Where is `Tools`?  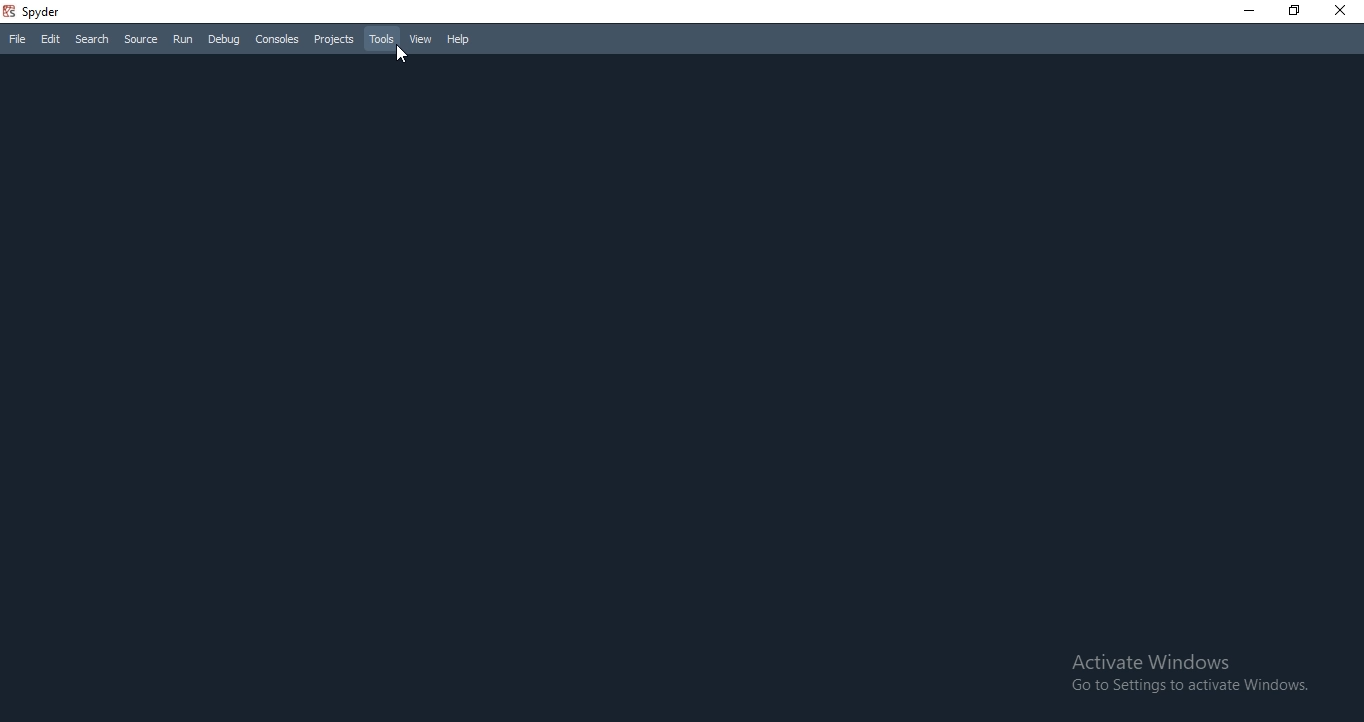
Tools is located at coordinates (380, 39).